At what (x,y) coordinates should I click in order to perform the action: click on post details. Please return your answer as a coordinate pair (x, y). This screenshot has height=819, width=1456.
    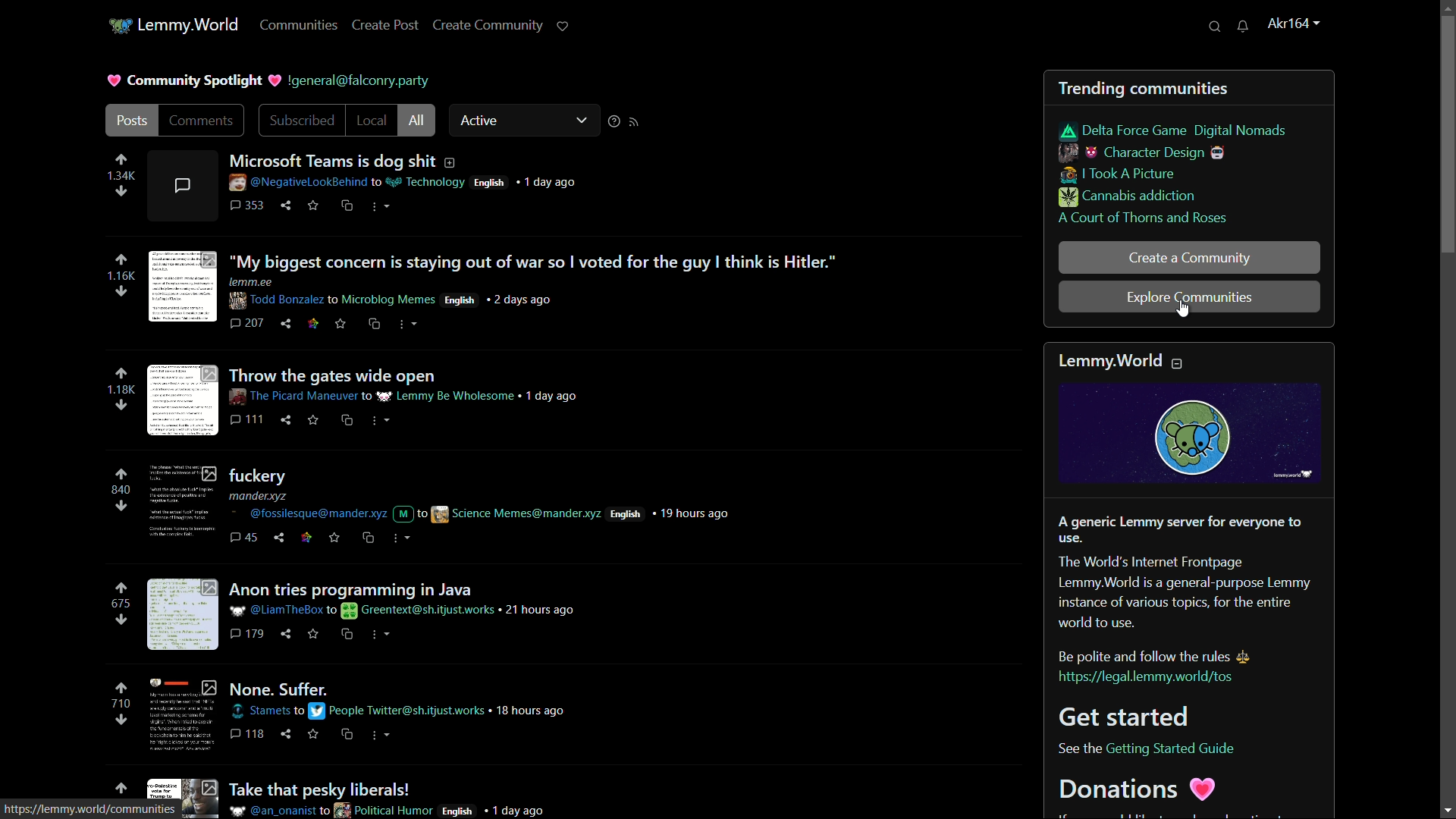
    Looking at the image, I should click on (414, 394).